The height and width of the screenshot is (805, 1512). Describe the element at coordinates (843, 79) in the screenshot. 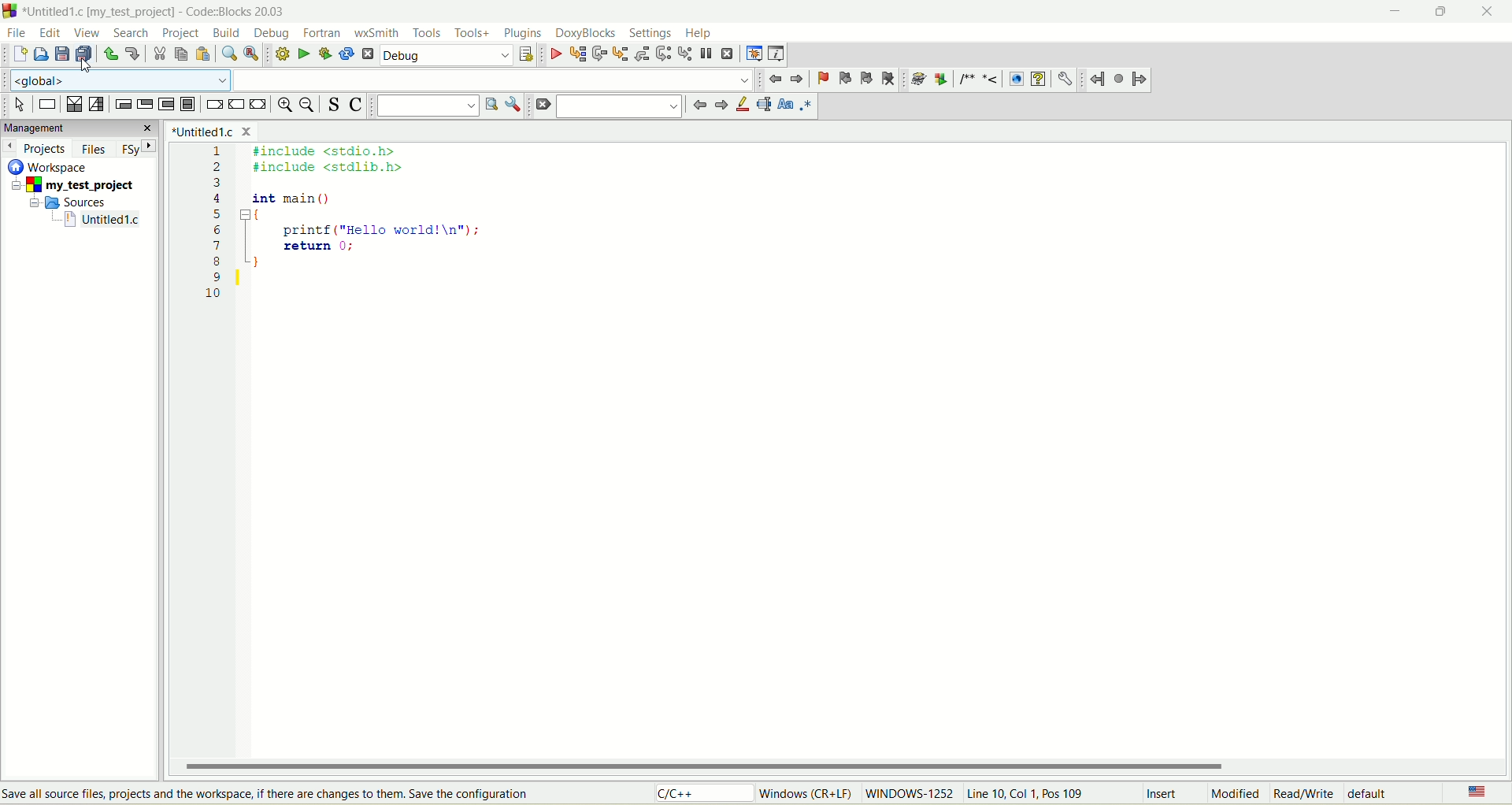

I see `previous bookmark` at that location.